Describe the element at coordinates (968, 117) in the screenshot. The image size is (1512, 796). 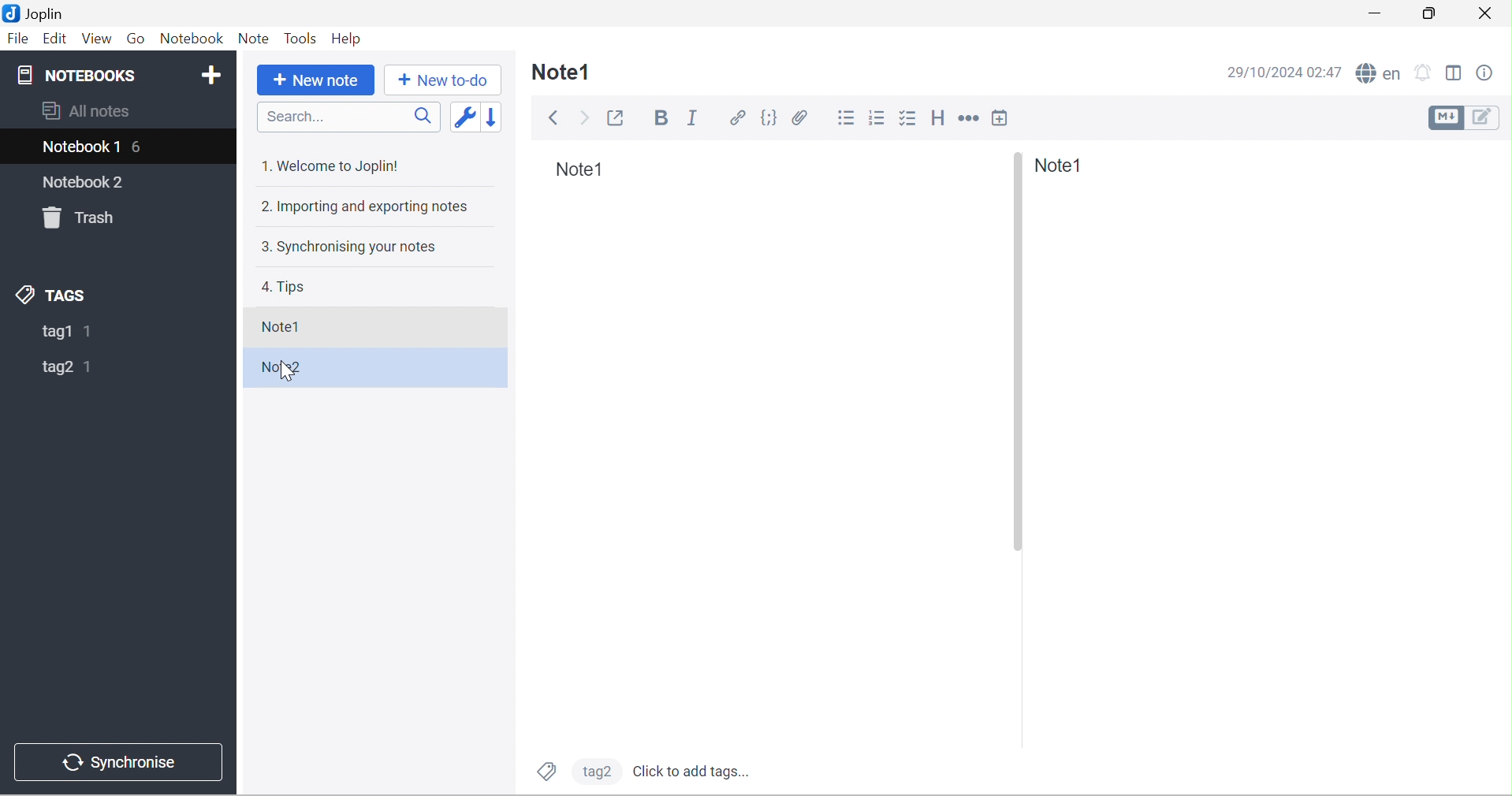
I see `Horizontal rule` at that location.